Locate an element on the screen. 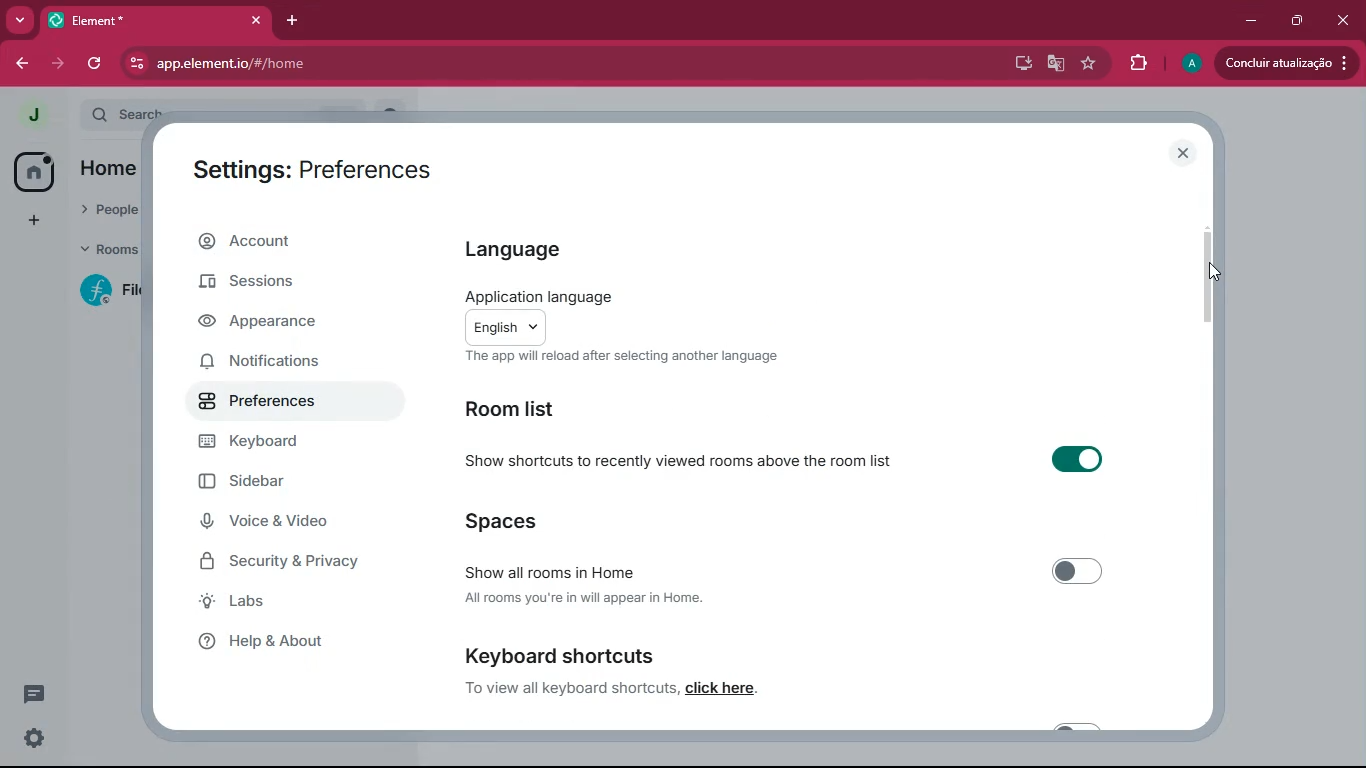  home is located at coordinates (111, 167).